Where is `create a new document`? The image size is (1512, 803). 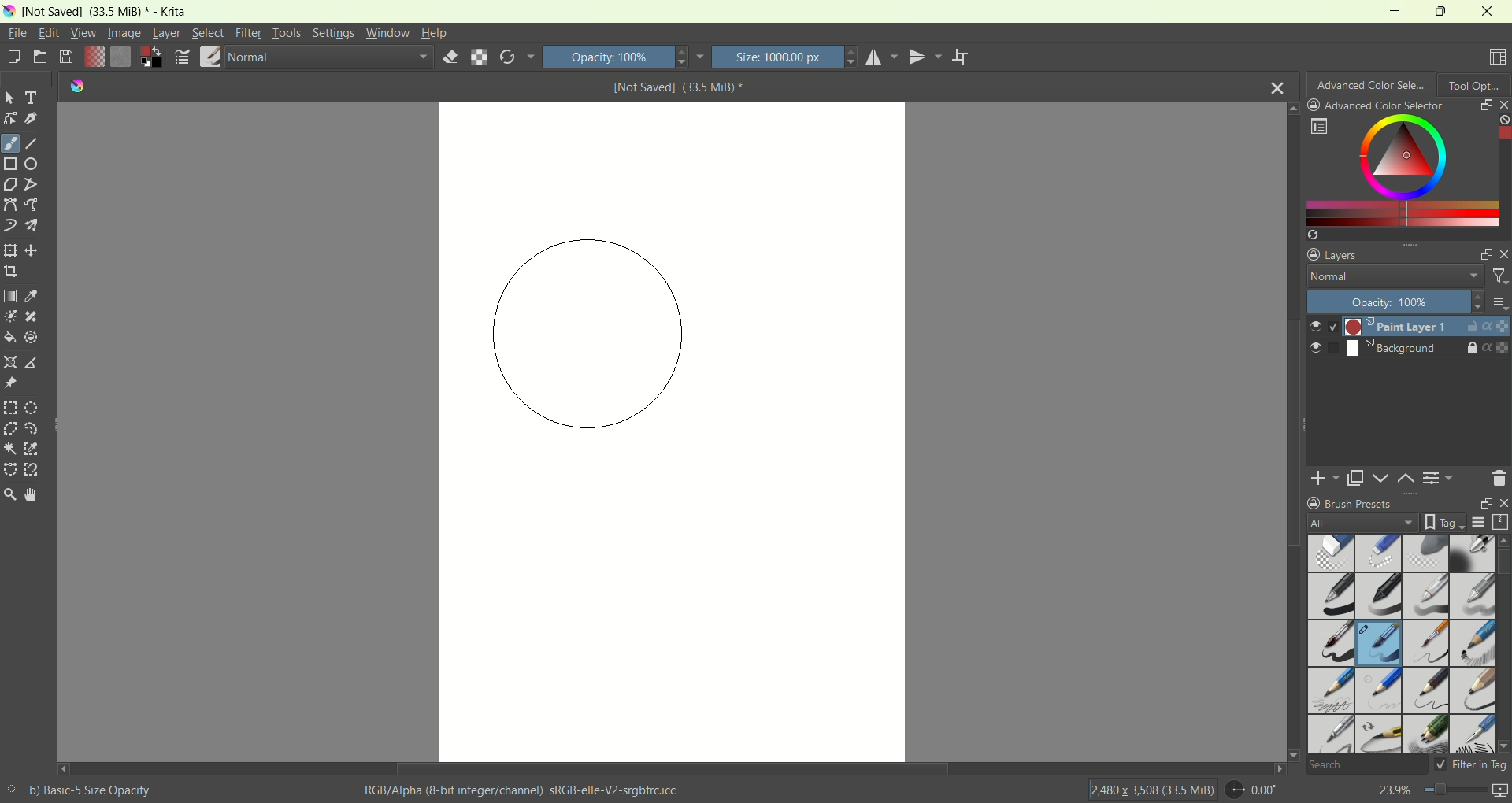 create a new document is located at coordinates (13, 60).